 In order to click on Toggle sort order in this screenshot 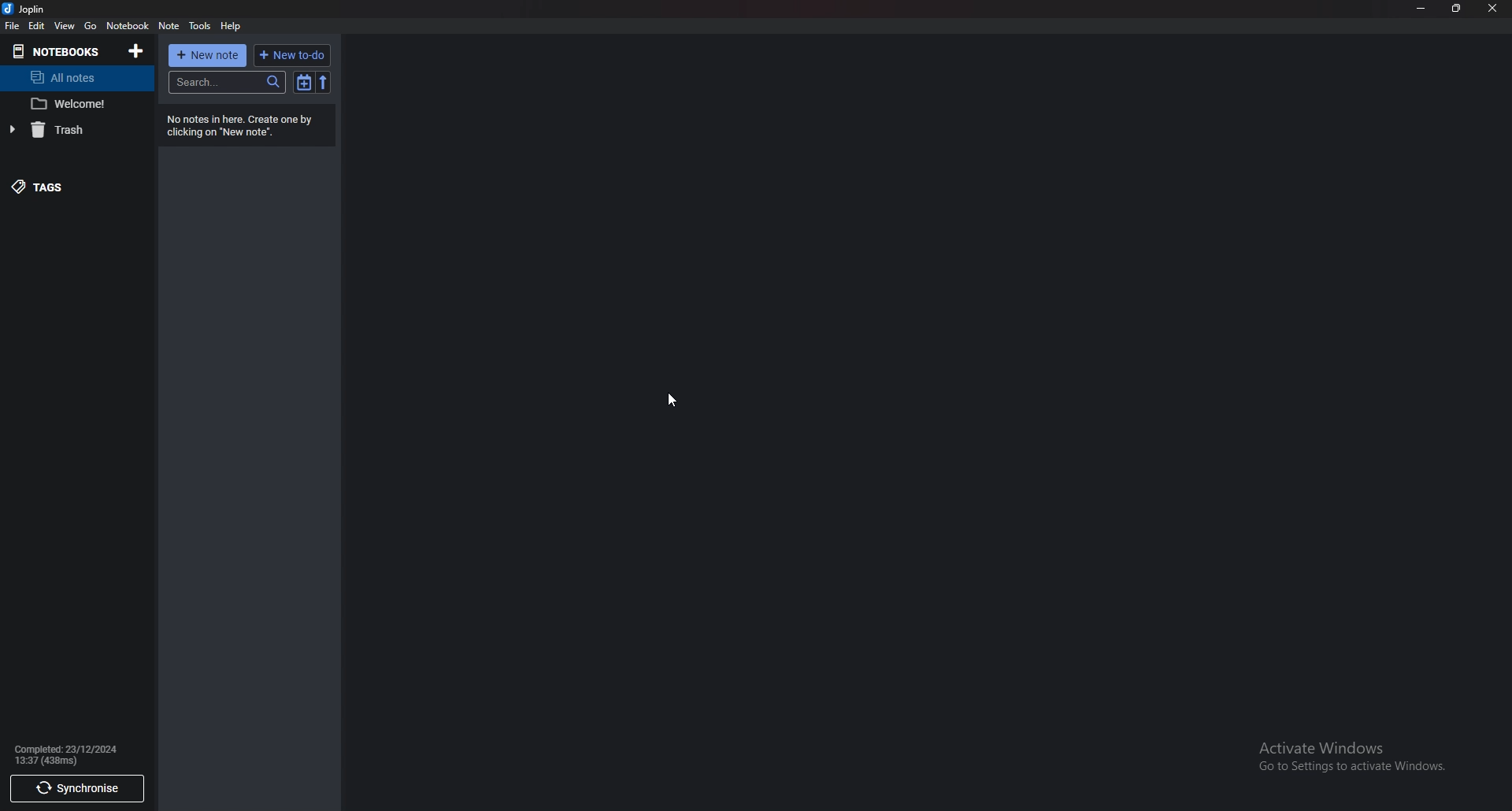, I will do `click(304, 83)`.